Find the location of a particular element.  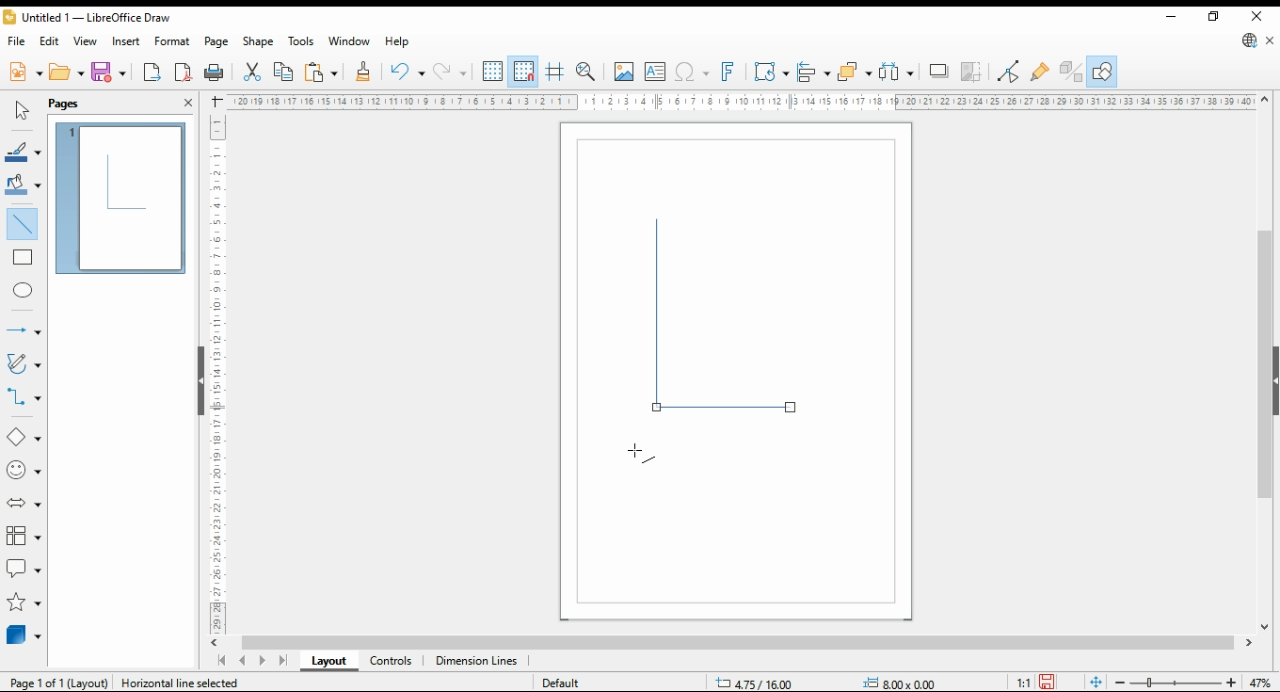

insert special character is located at coordinates (690, 72).